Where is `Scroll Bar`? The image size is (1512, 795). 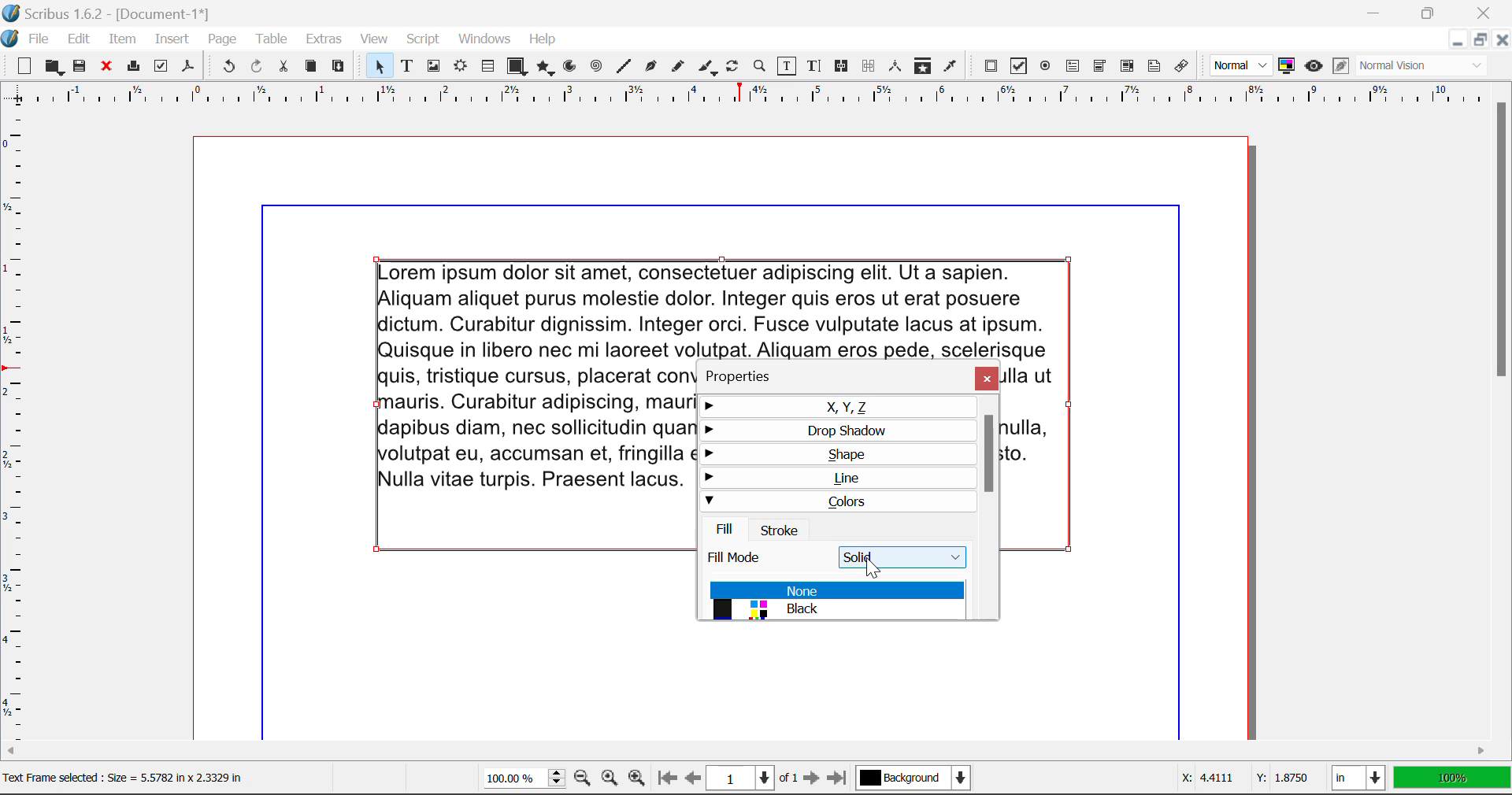
Scroll Bar is located at coordinates (992, 507).